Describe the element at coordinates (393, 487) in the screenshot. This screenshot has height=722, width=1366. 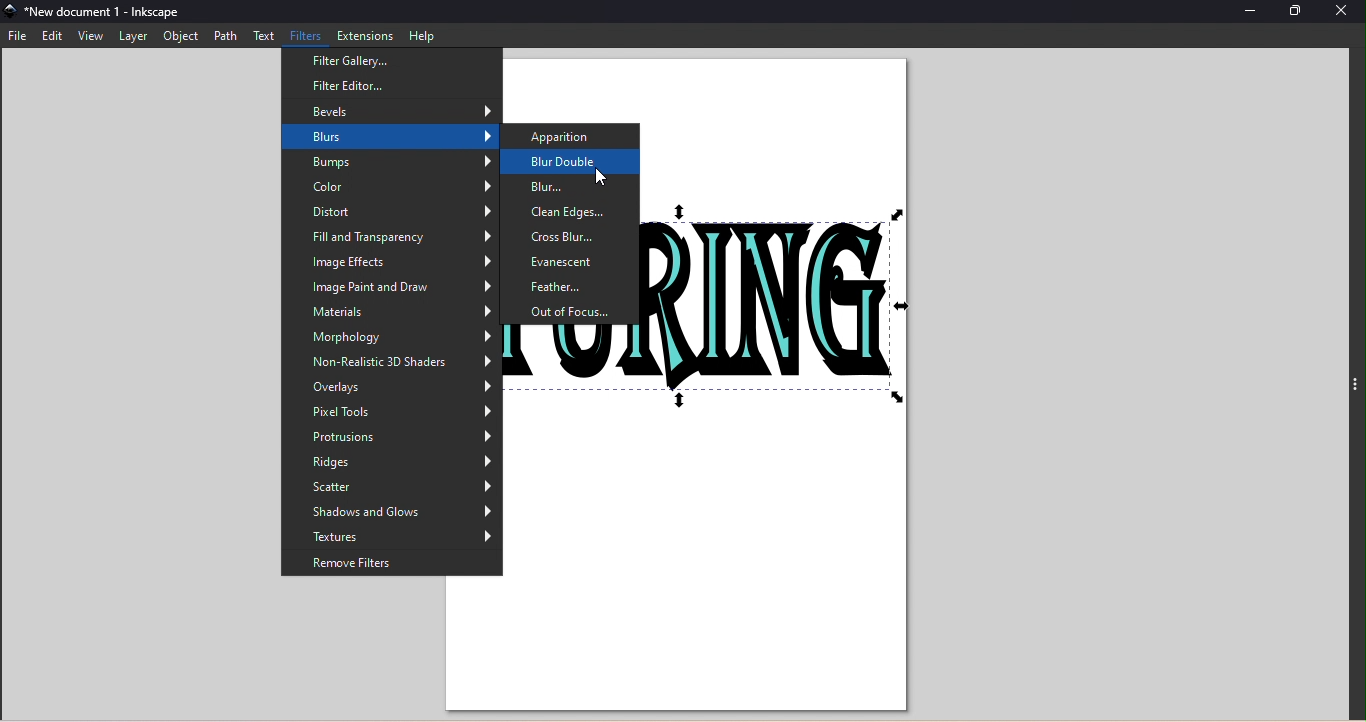
I see `Scatter` at that location.